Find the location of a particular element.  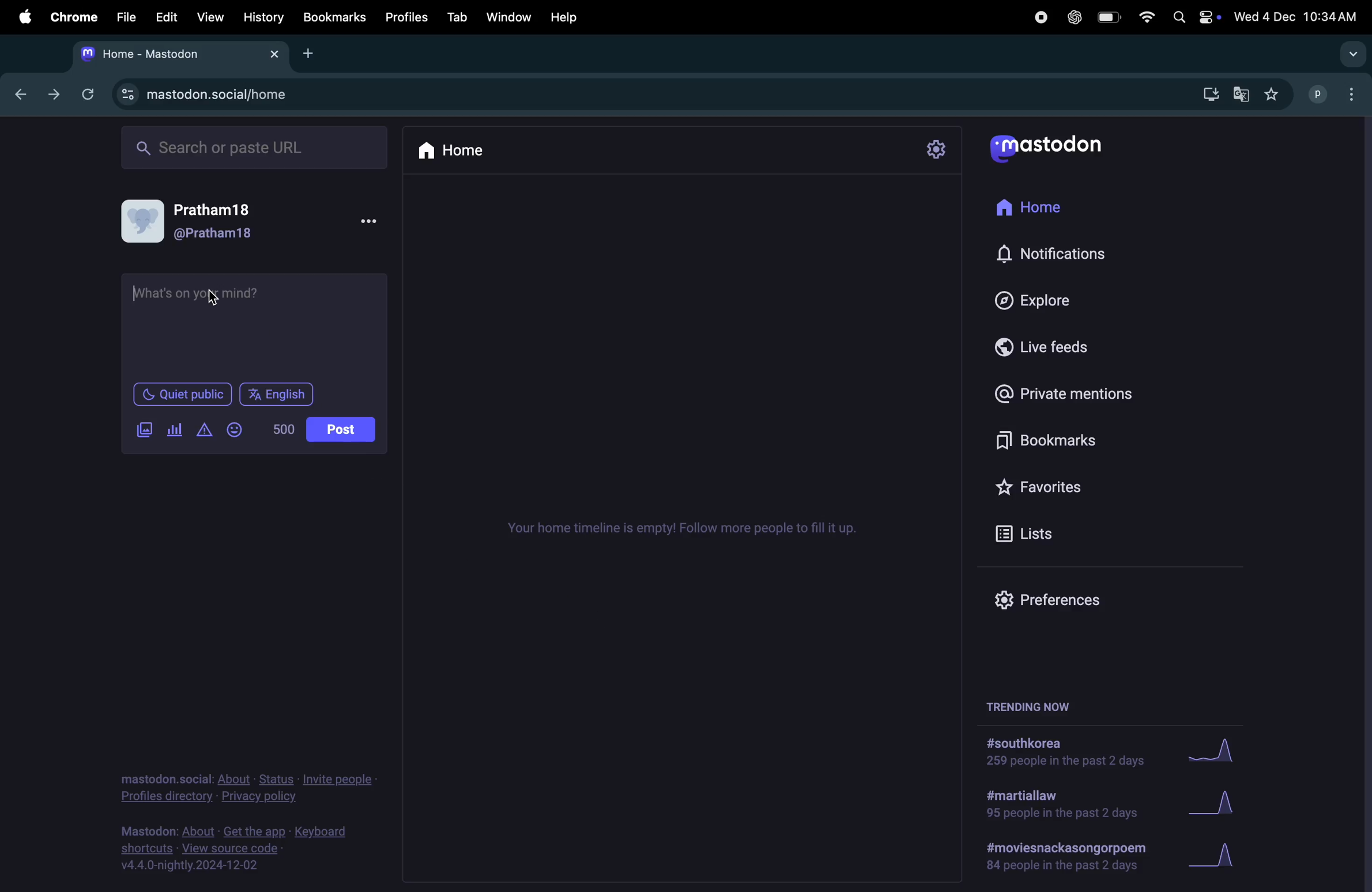

Home is located at coordinates (460, 149).